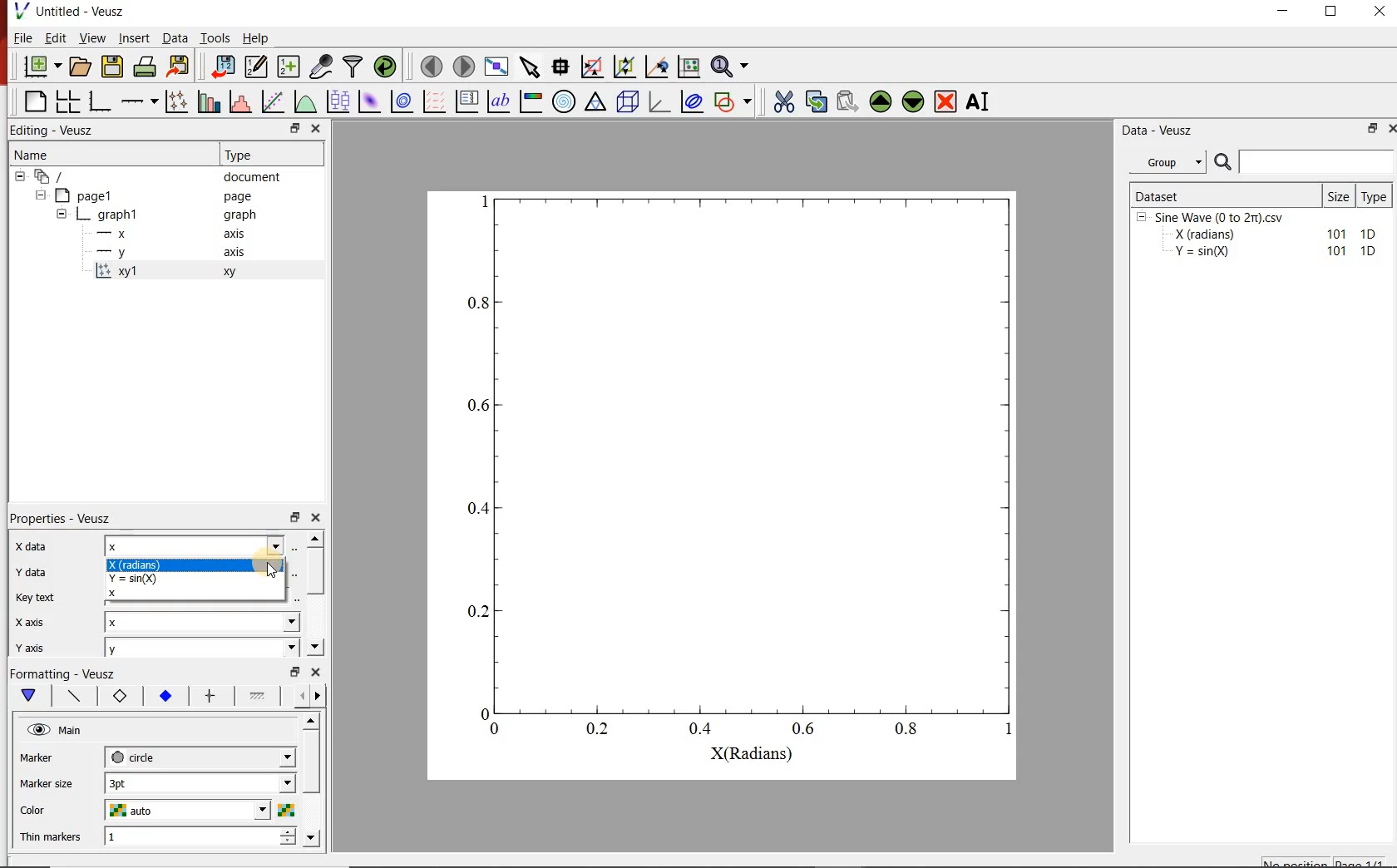 The width and height of the screenshot is (1397, 868). I want to click on page, so click(238, 197).